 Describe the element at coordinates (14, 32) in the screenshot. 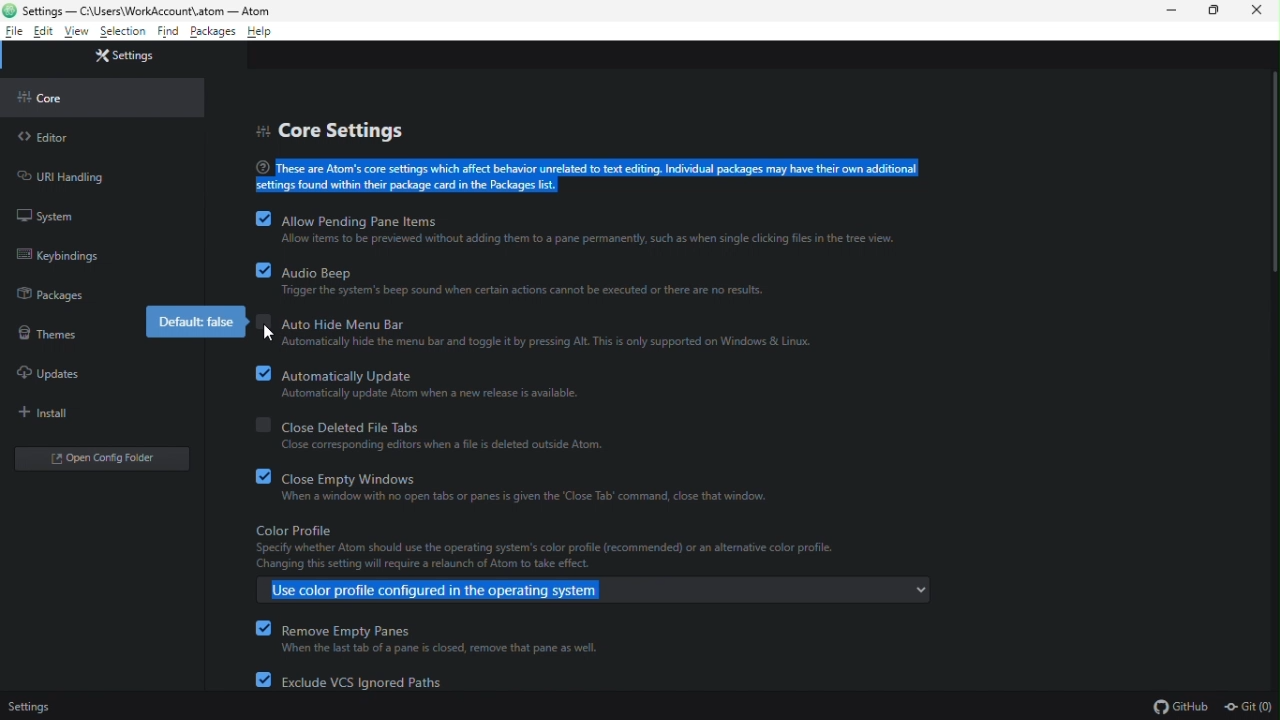

I see `file` at that location.